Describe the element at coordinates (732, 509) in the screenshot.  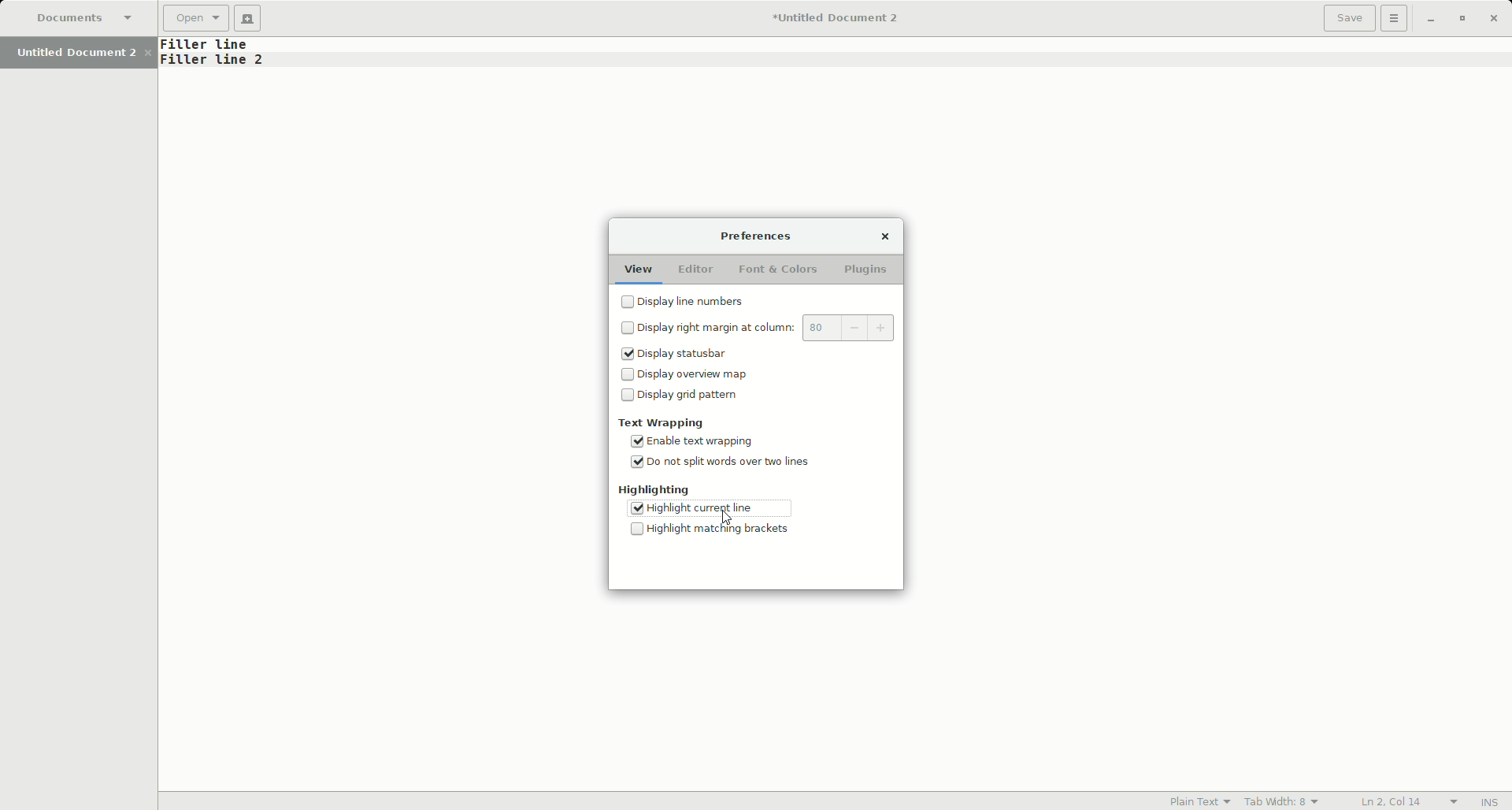
I see `Current line` at that location.